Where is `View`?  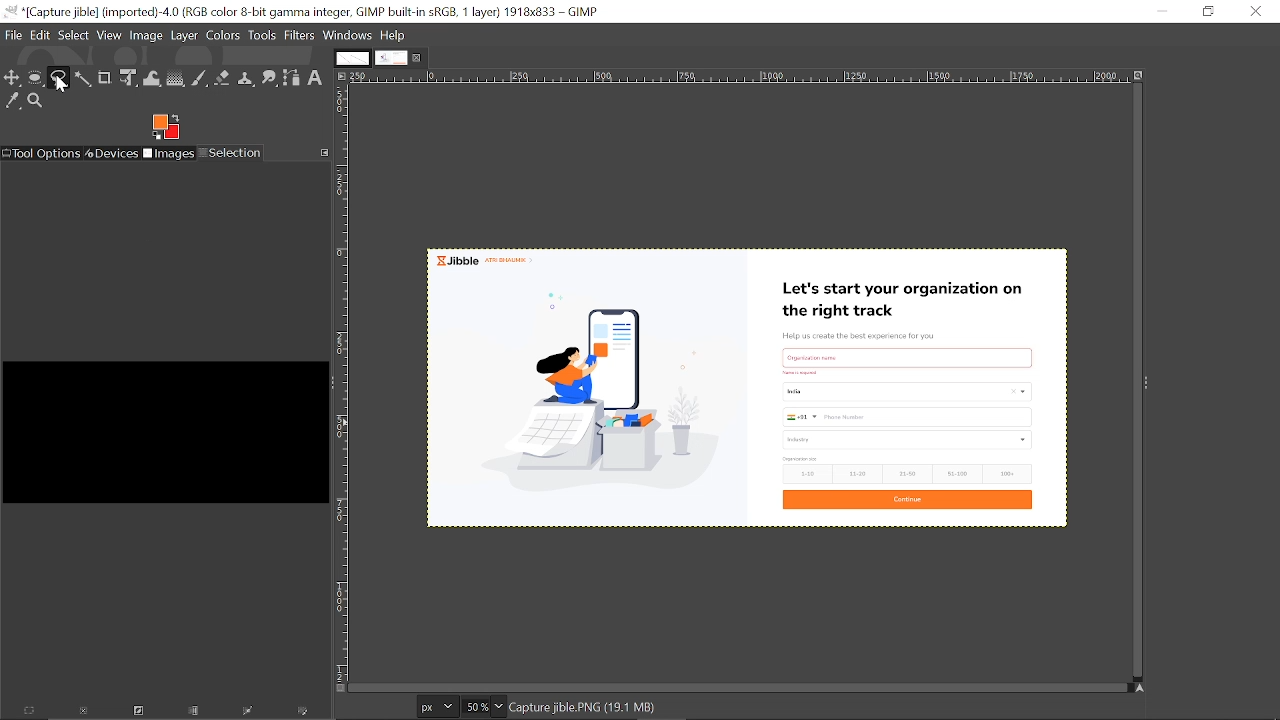 View is located at coordinates (110, 35).